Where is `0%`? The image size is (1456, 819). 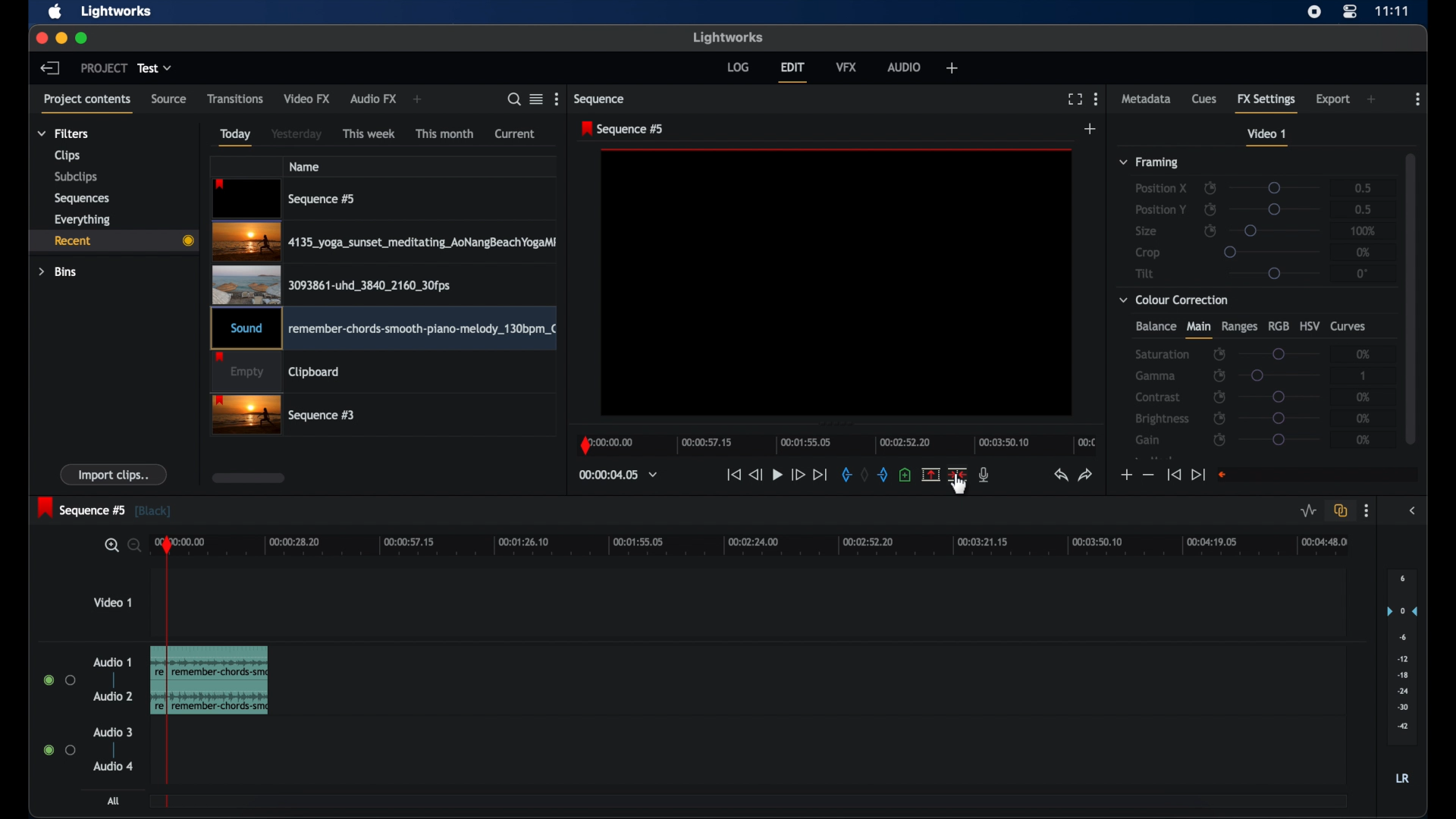 0% is located at coordinates (1363, 252).